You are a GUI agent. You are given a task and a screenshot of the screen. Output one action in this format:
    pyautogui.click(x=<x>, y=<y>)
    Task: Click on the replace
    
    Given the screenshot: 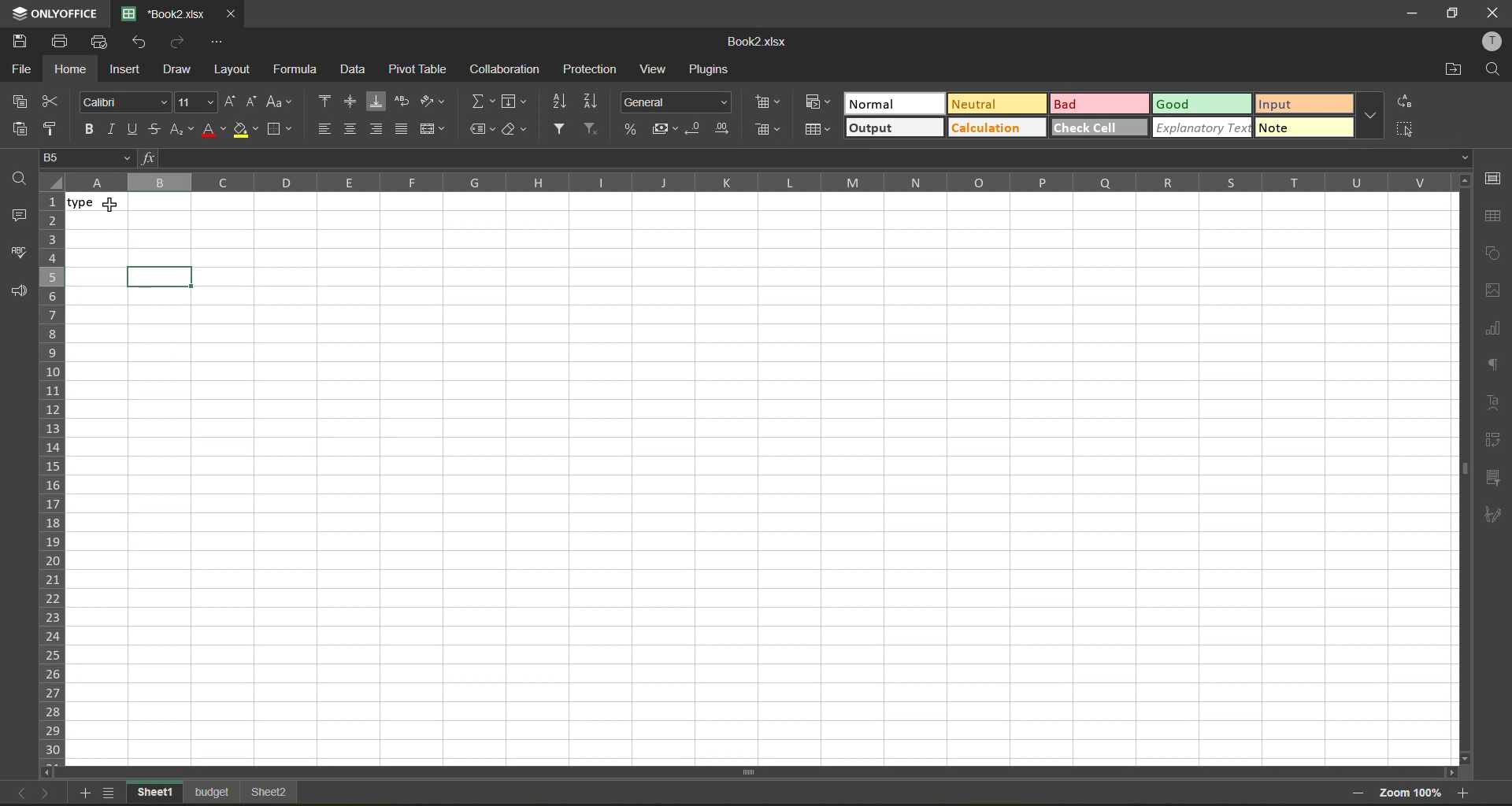 What is the action you would take?
    pyautogui.click(x=1403, y=102)
    